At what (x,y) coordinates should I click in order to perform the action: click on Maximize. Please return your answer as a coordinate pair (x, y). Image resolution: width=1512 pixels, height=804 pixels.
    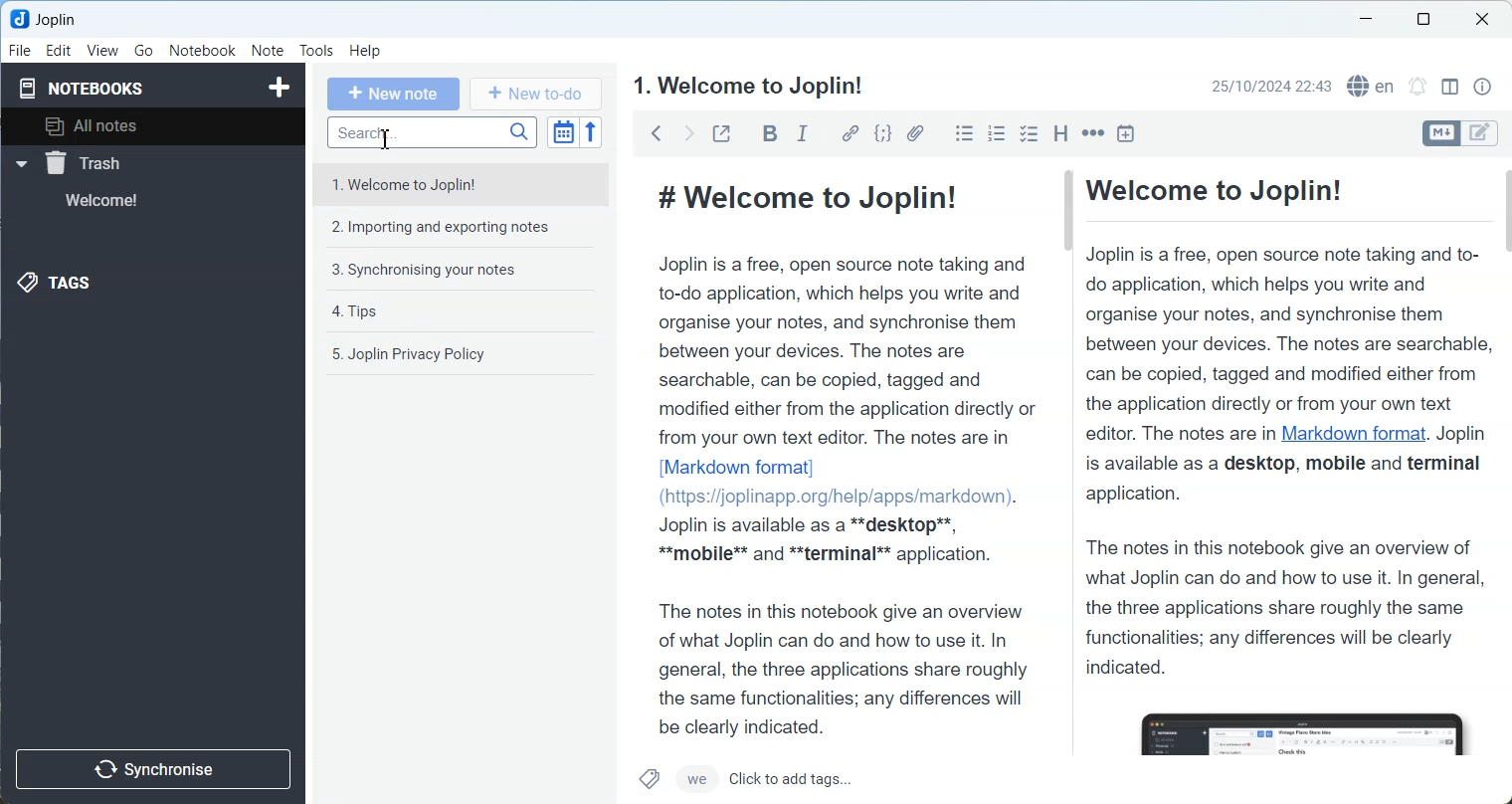
    Looking at the image, I should click on (1422, 21).